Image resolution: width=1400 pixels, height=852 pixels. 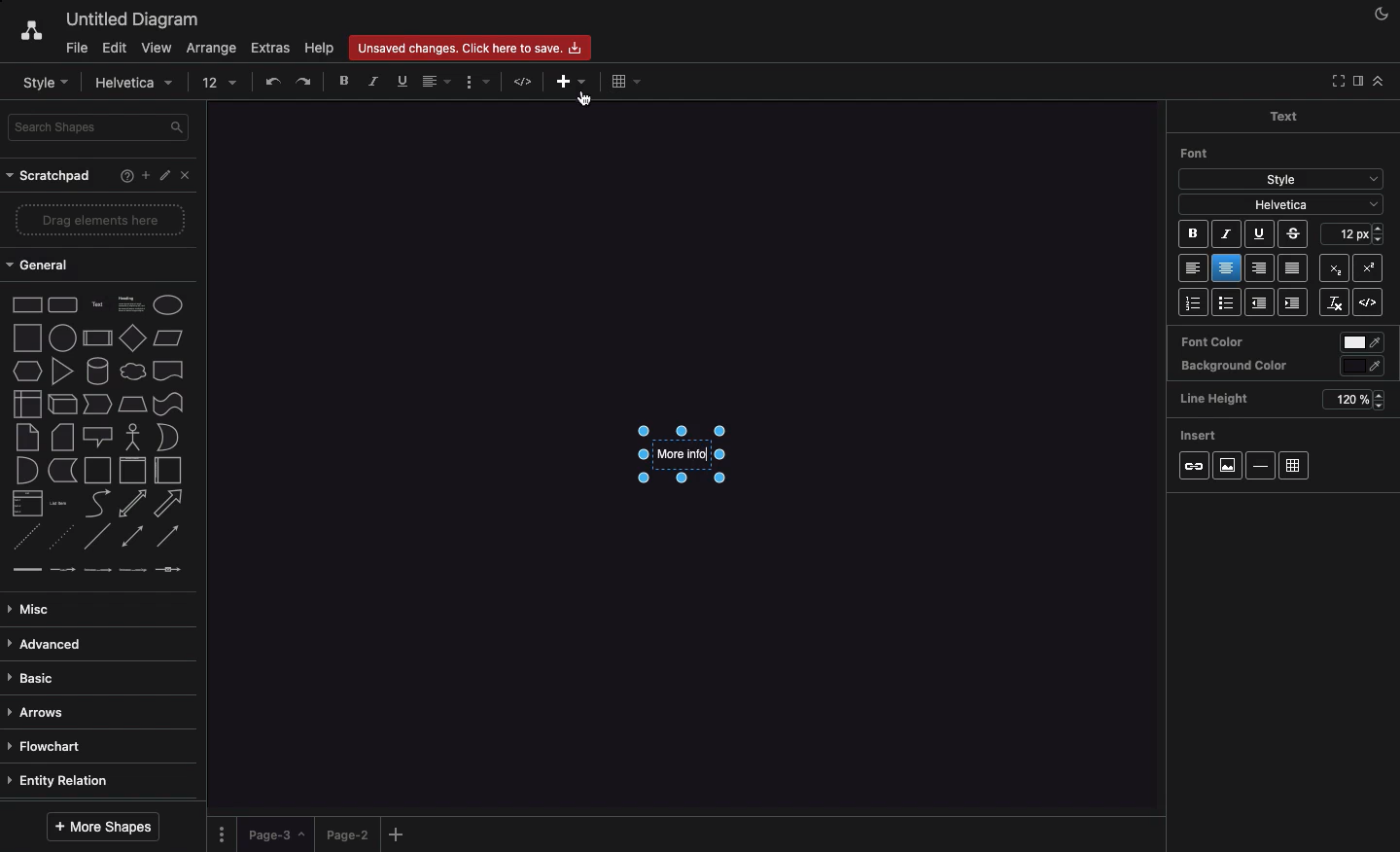 I want to click on horizontal container, so click(x=168, y=470).